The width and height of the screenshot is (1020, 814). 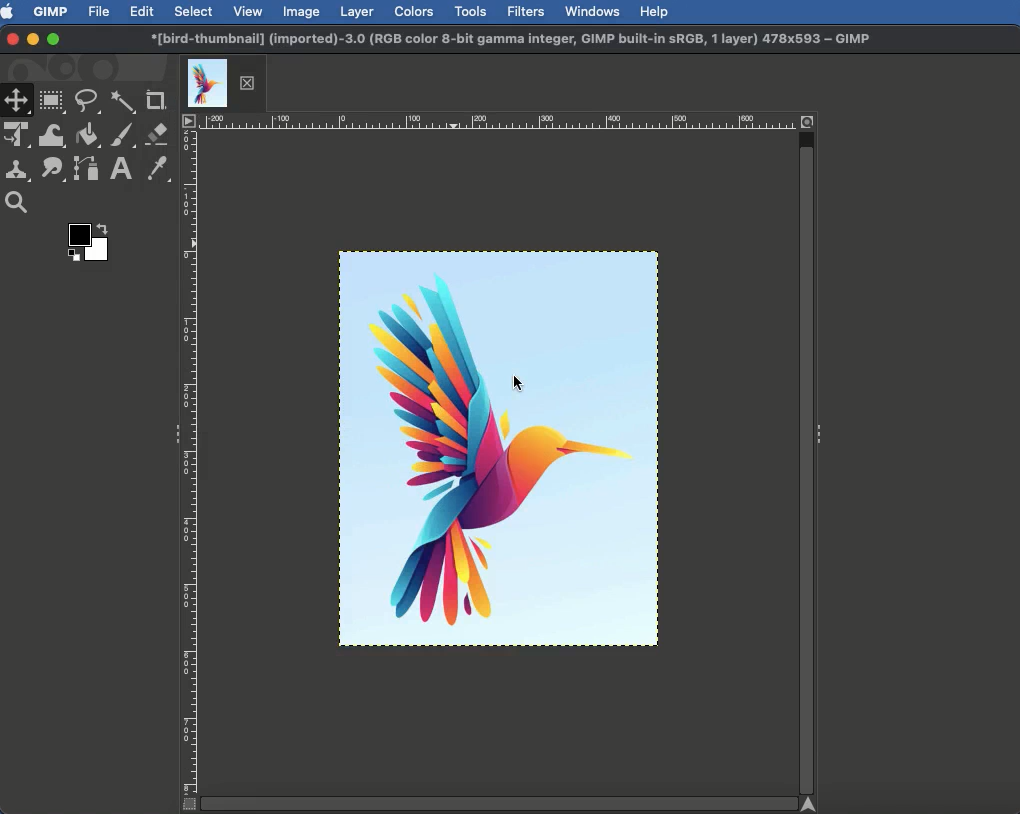 I want to click on Eraser, so click(x=158, y=134).